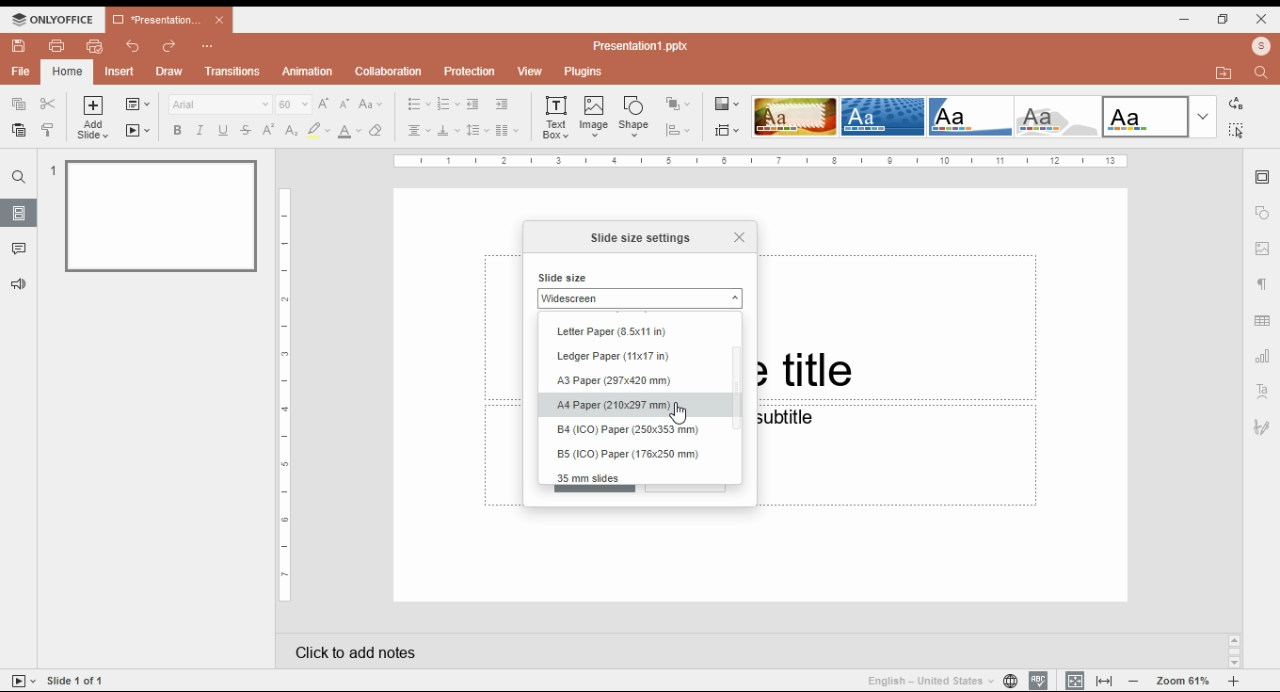 The height and width of the screenshot is (692, 1280). What do you see at coordinates (558, 116) in the screenshot?
I see `text box` at bounding box center [558, 116].